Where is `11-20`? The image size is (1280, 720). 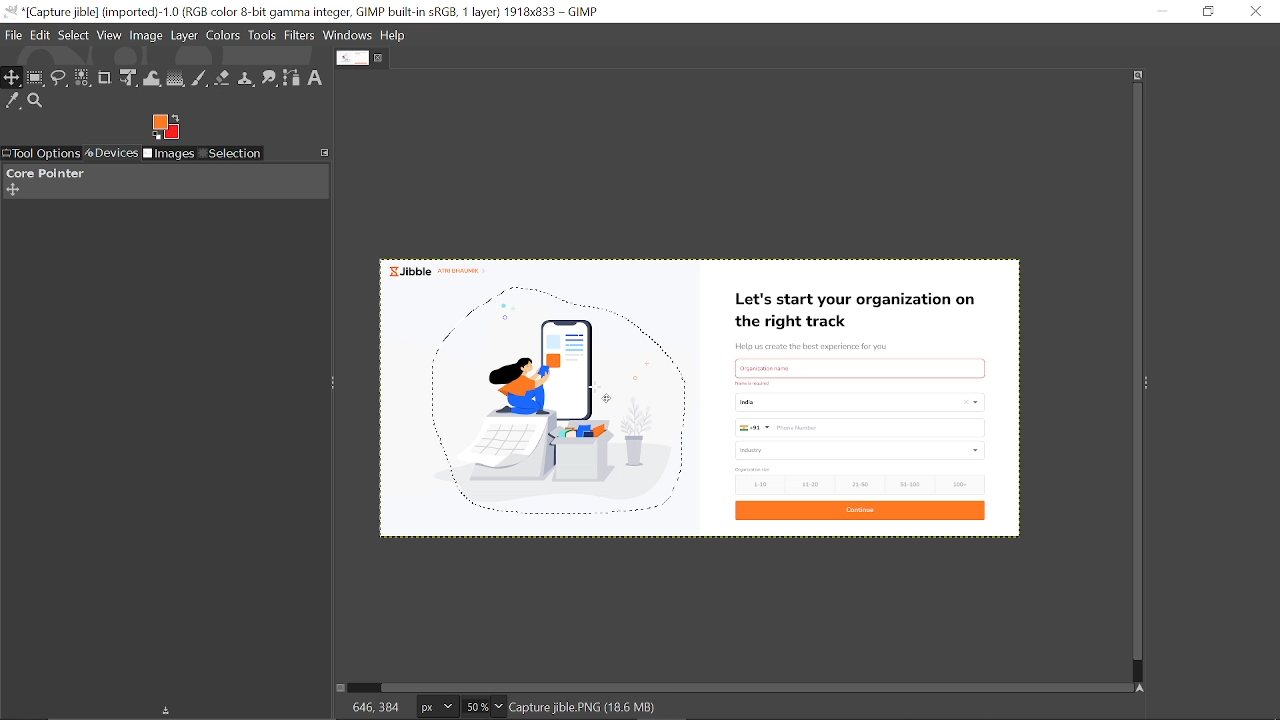 11-20 is located at coordinates (814, 483).